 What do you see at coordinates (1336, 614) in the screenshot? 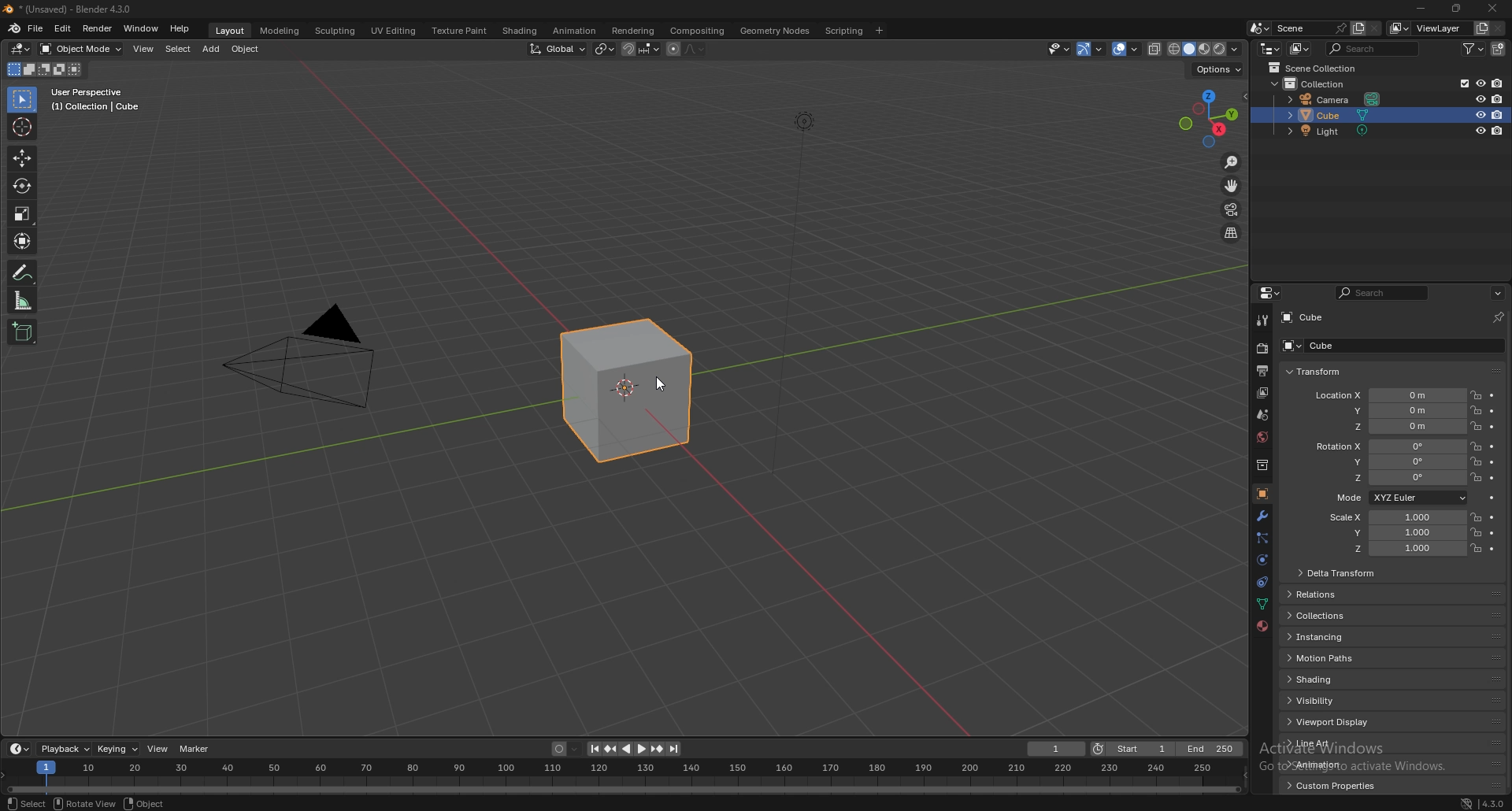
I see `collections` at bounding box center [1336, 614].